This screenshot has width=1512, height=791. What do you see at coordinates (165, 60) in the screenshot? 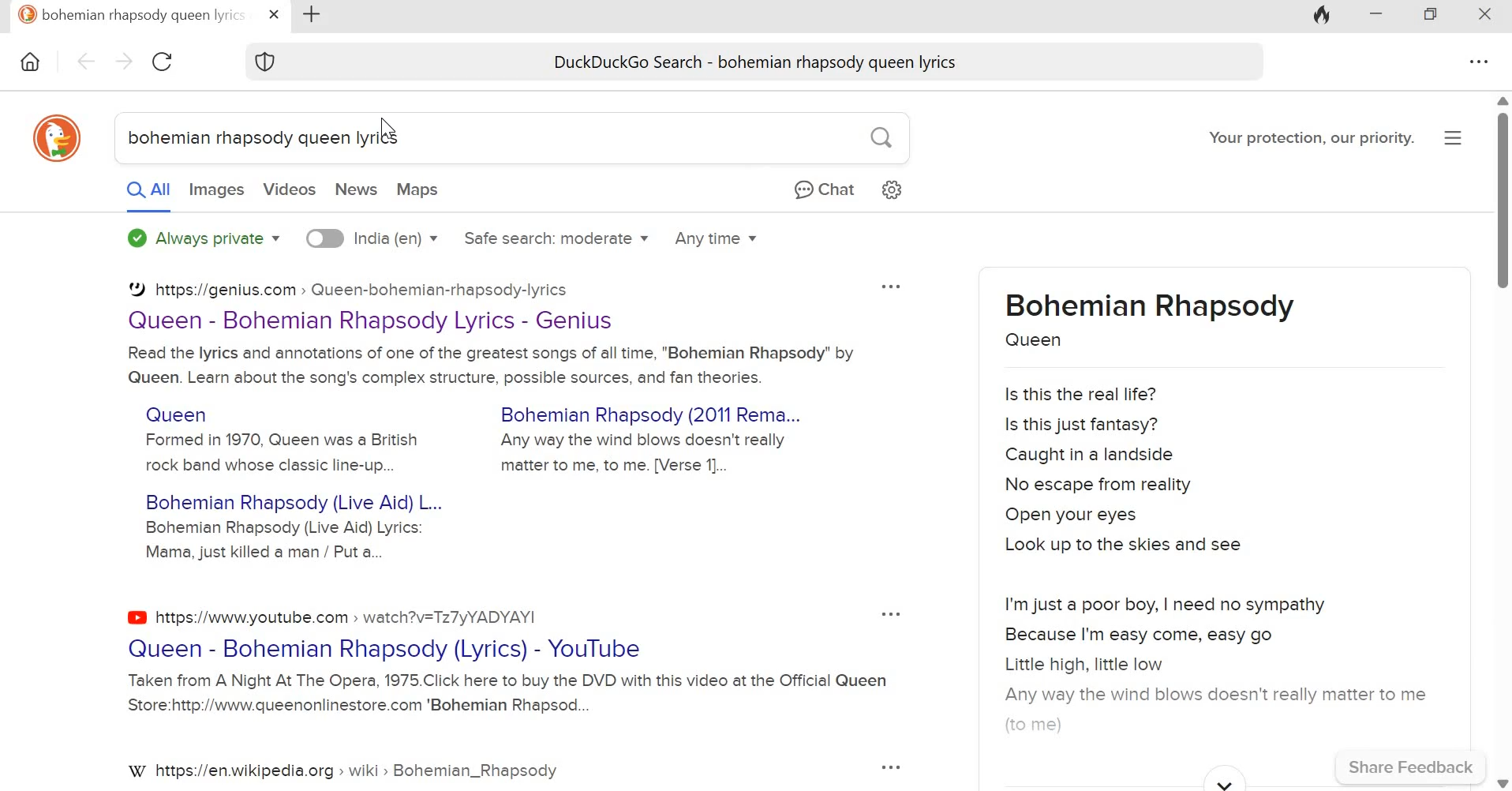
I see `Reload this page` at bounding box center [165, 60].